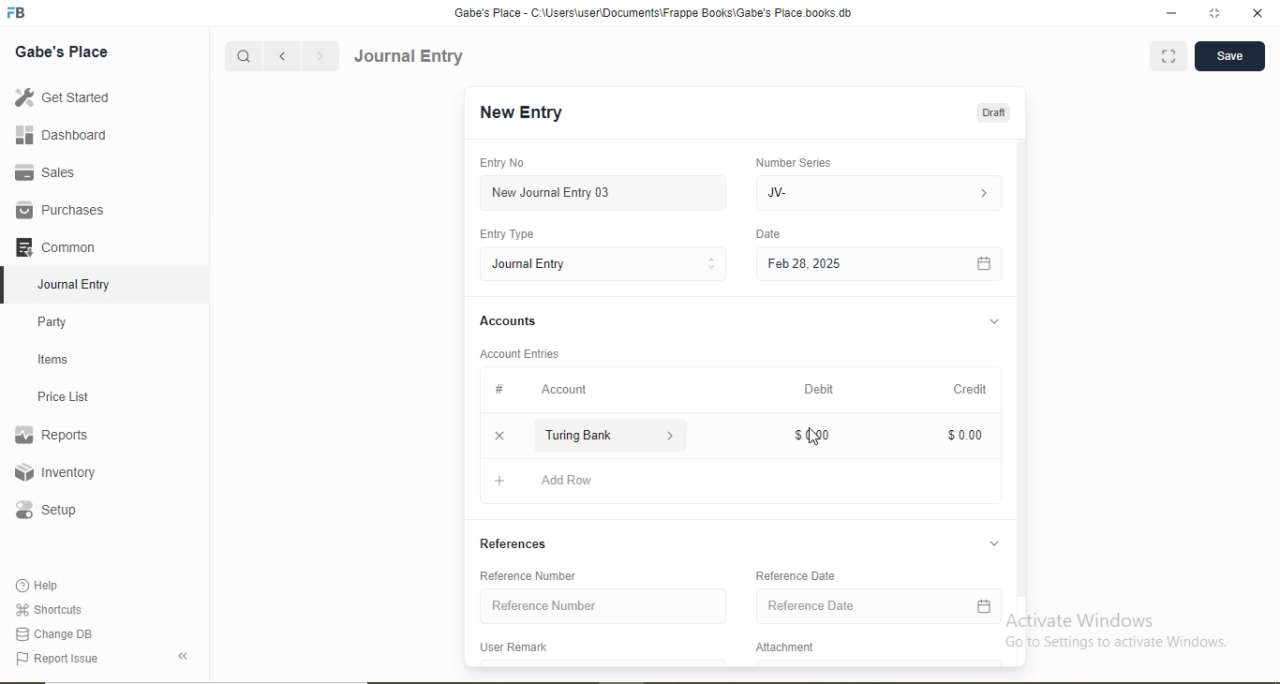 Image resolution: width=1280 pixels, height=684 pixels. I want to click on Dropdown, so click(993, 543).